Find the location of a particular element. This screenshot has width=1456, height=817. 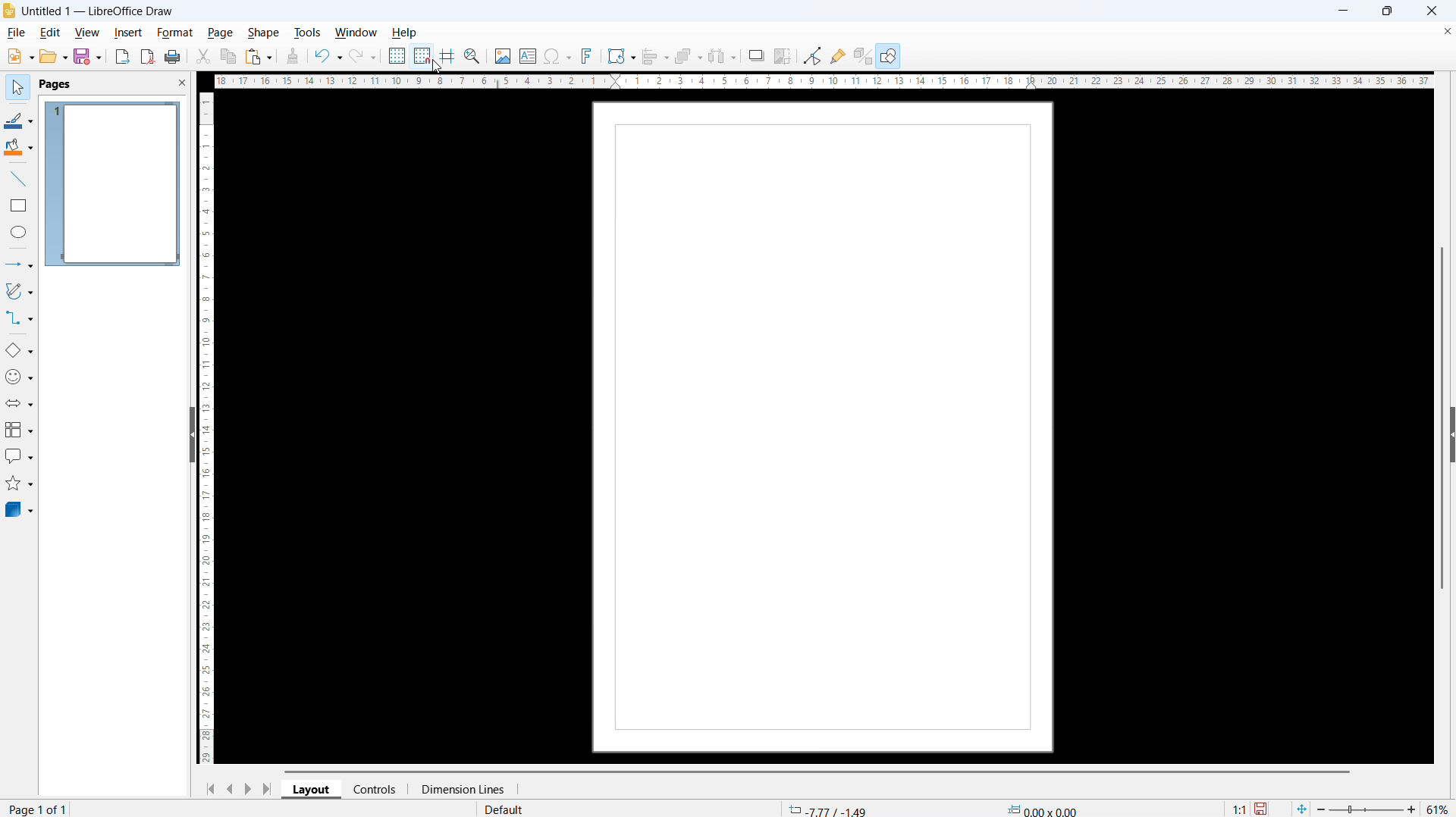

Expand pane is located at coordinates (1453, 434).